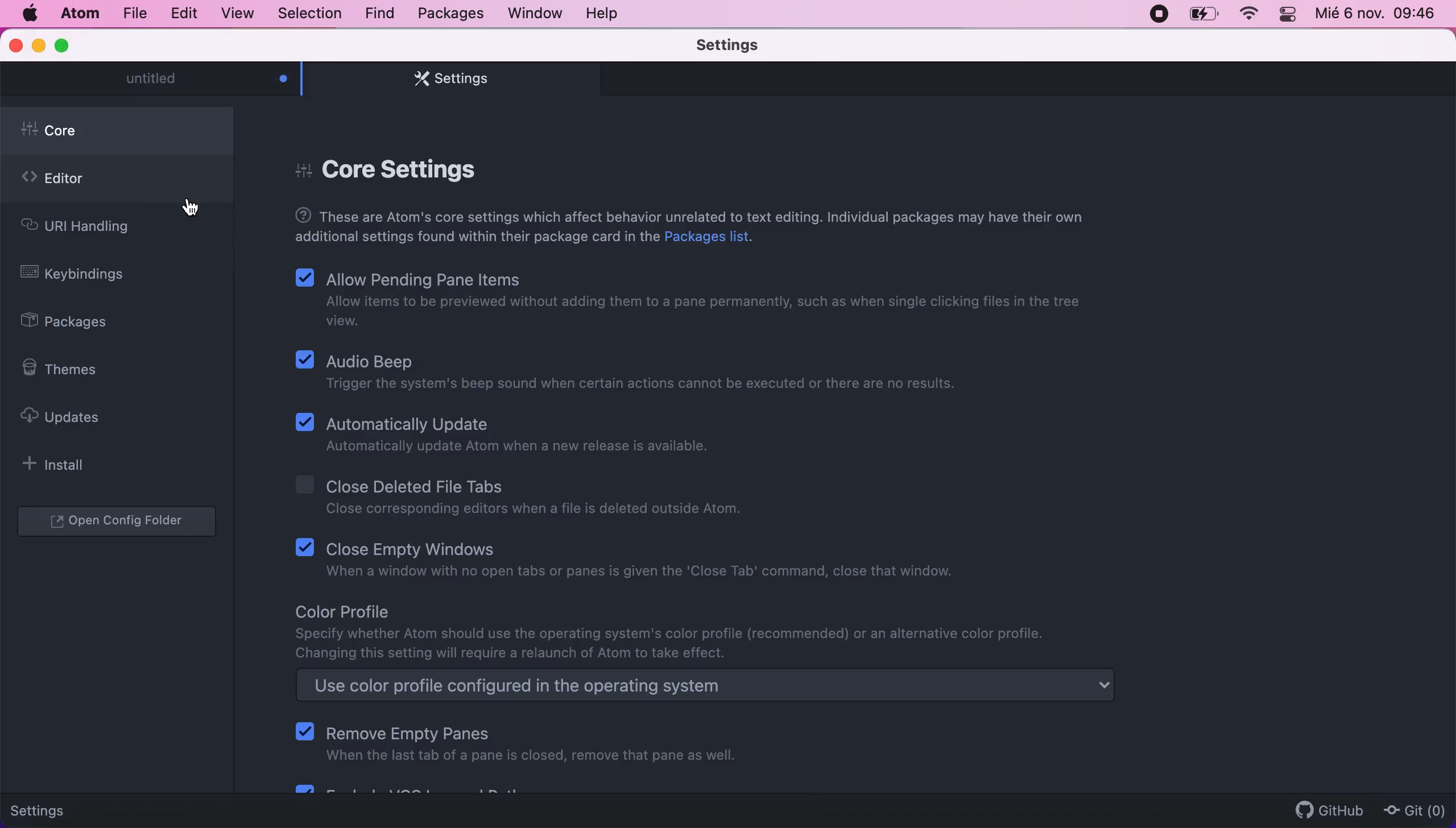 The width and height of the screenshot is (1456, 828). What do you see at coordinates (29, 15) in the screenshot?
I see `mac logo` at bounding box center [29, 15].